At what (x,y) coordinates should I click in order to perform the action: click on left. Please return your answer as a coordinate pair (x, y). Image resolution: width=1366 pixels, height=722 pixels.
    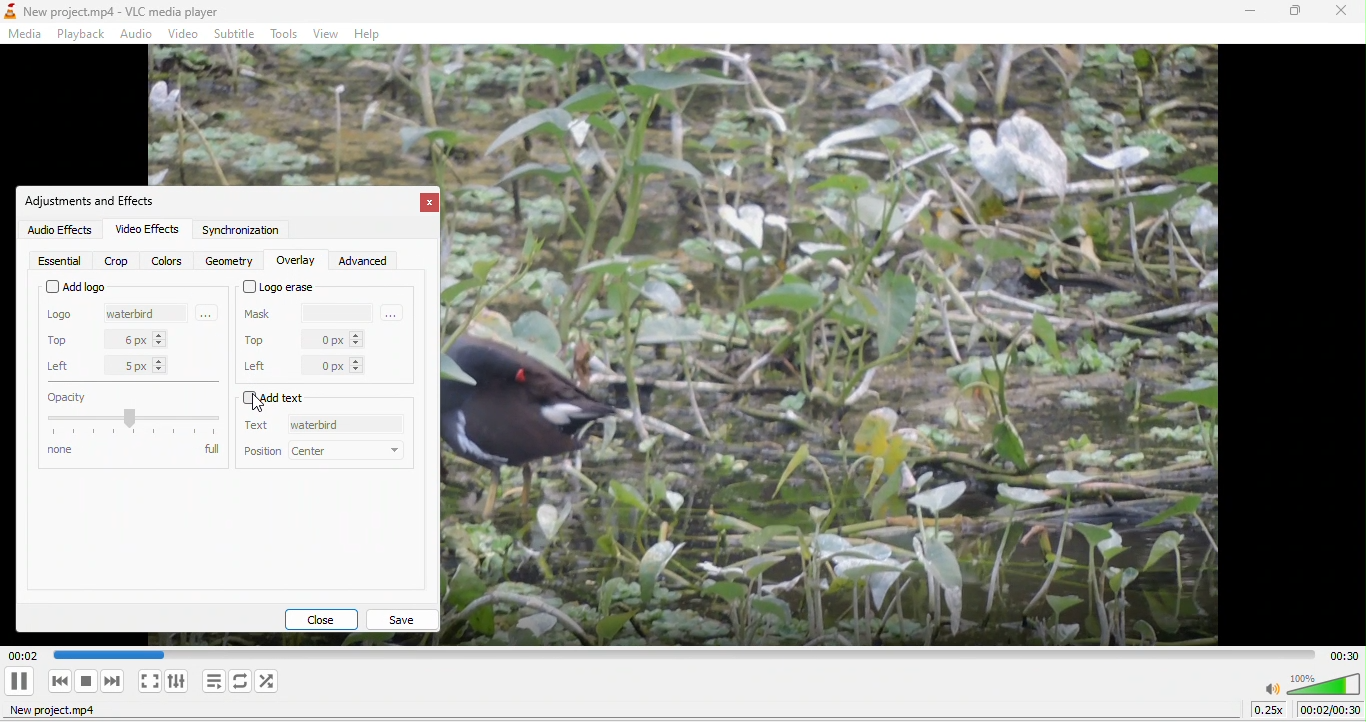
    Looking at the image, I should click on (262, 365).